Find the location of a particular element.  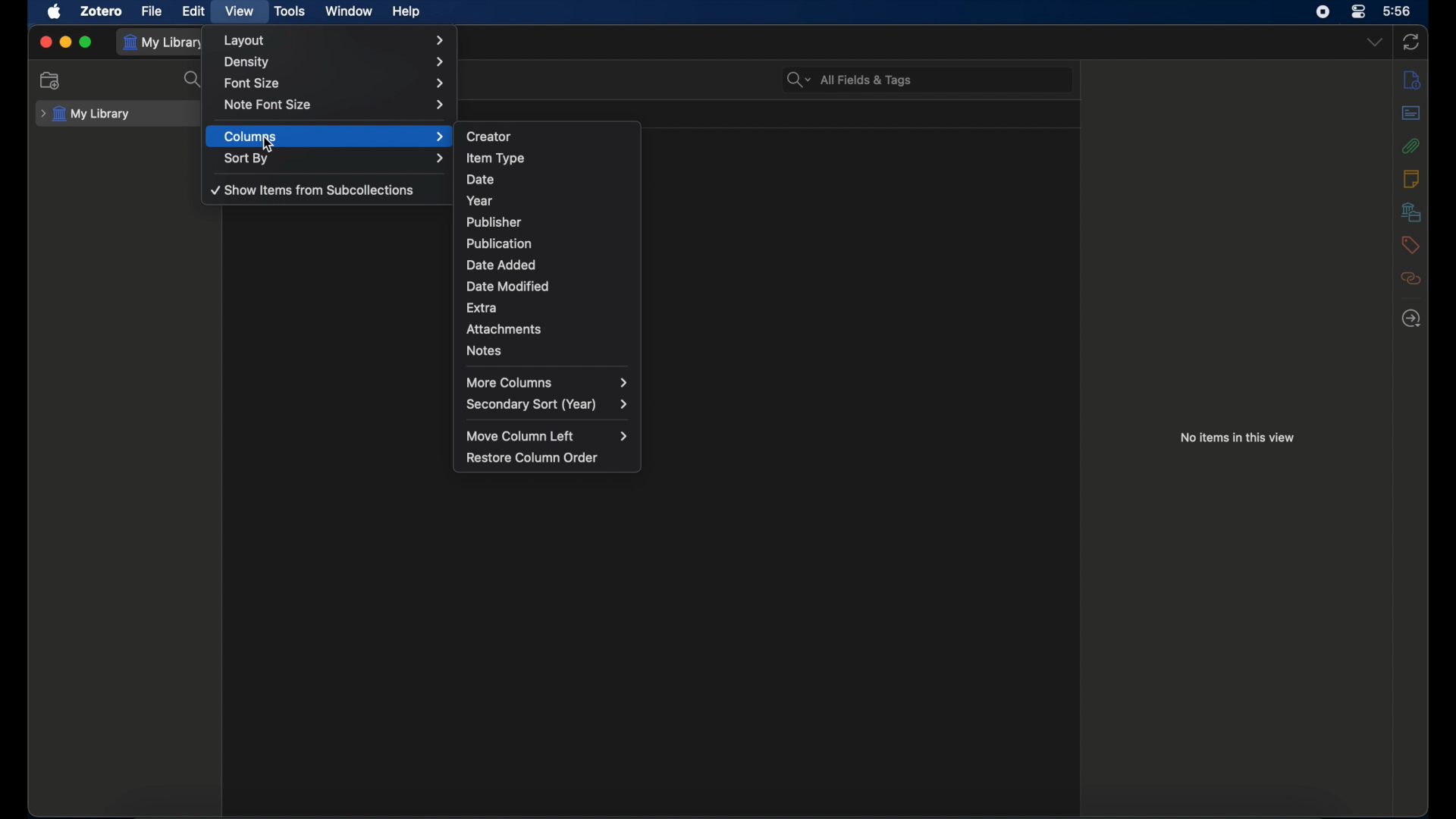

extra is located at coordinates (550, 306).